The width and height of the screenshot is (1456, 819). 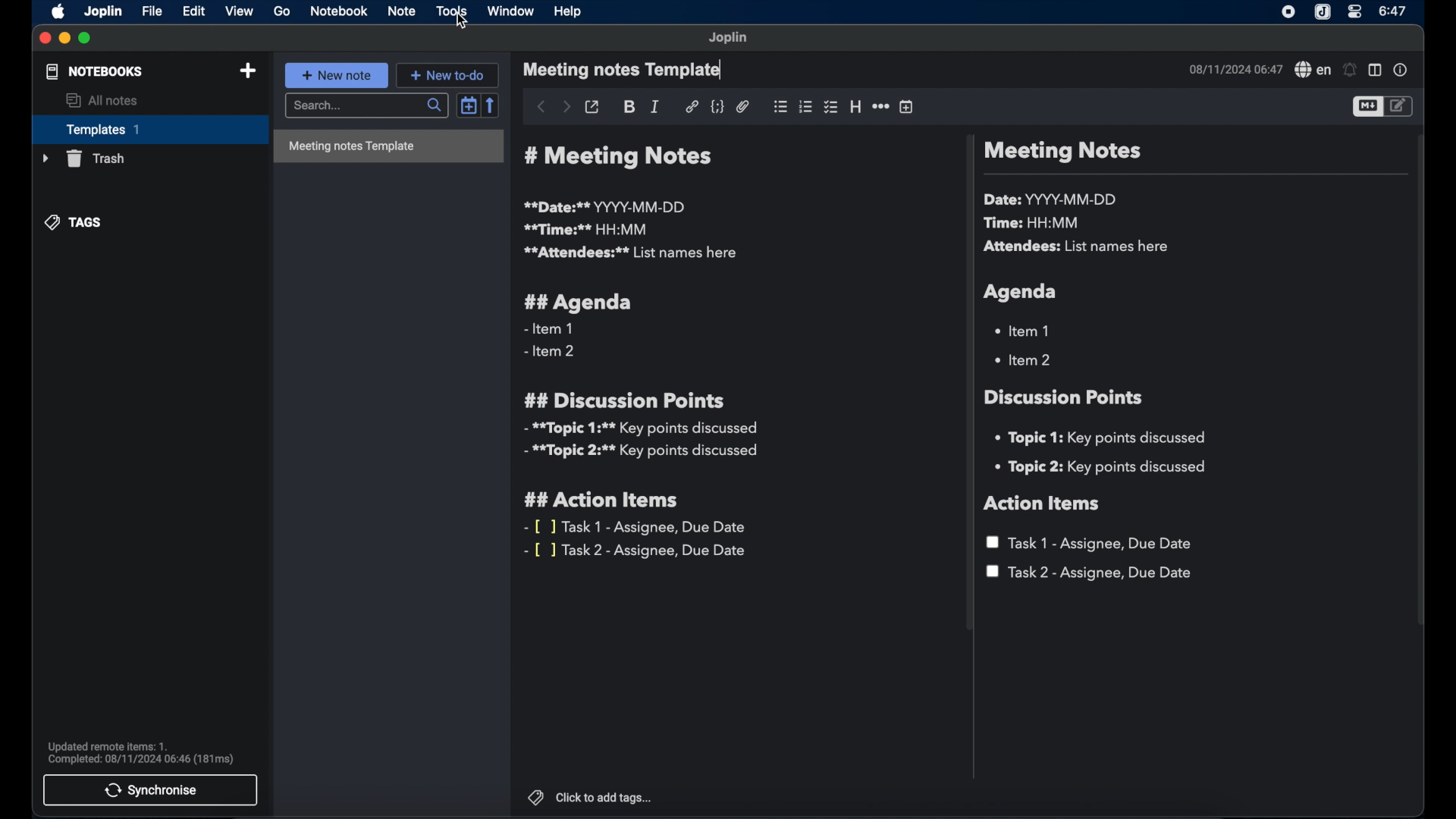 What do you see at coordinates (566, 108) in the screenshot?
I see `forward` at bounding box center [566, 108].